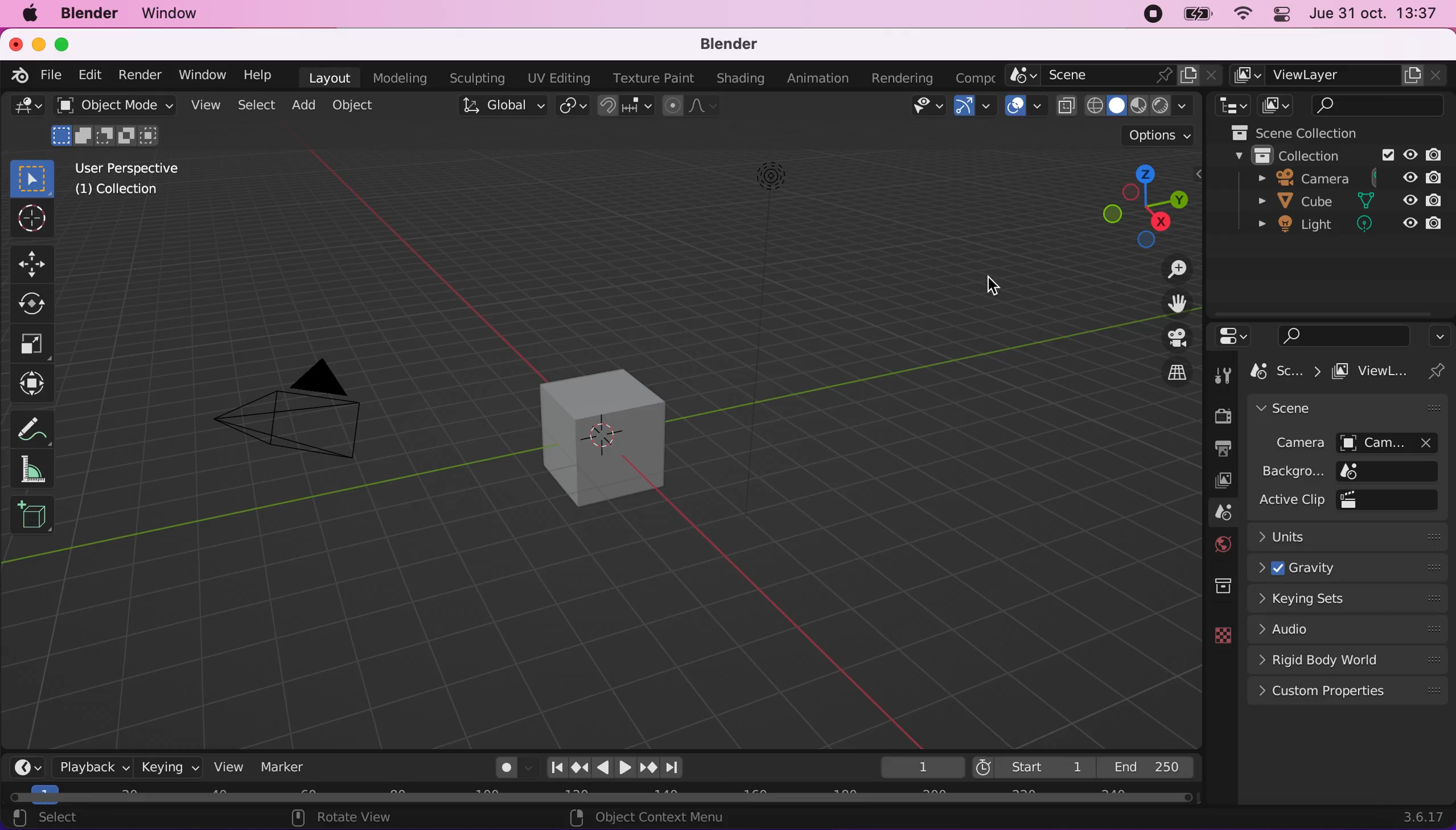 Image resolution: width=1456 pixels, height=830 pixels. Describe the element at coordinates (1213, 513) in the screenshot. I see `scene` at that location.